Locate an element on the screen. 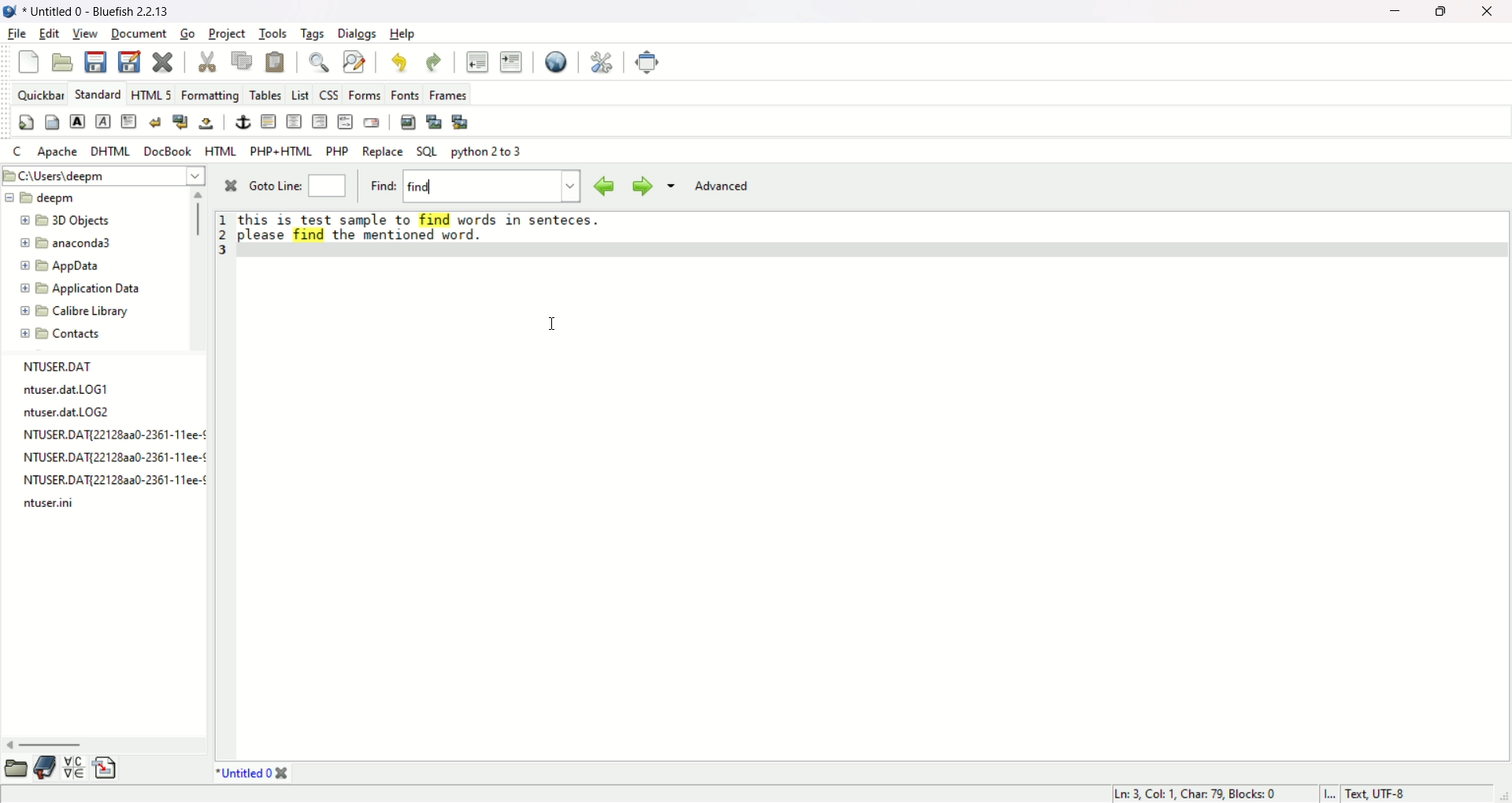 The image size is (1512, 803). ntuser.dat.LOG2 is located at coordinates (68, 412).